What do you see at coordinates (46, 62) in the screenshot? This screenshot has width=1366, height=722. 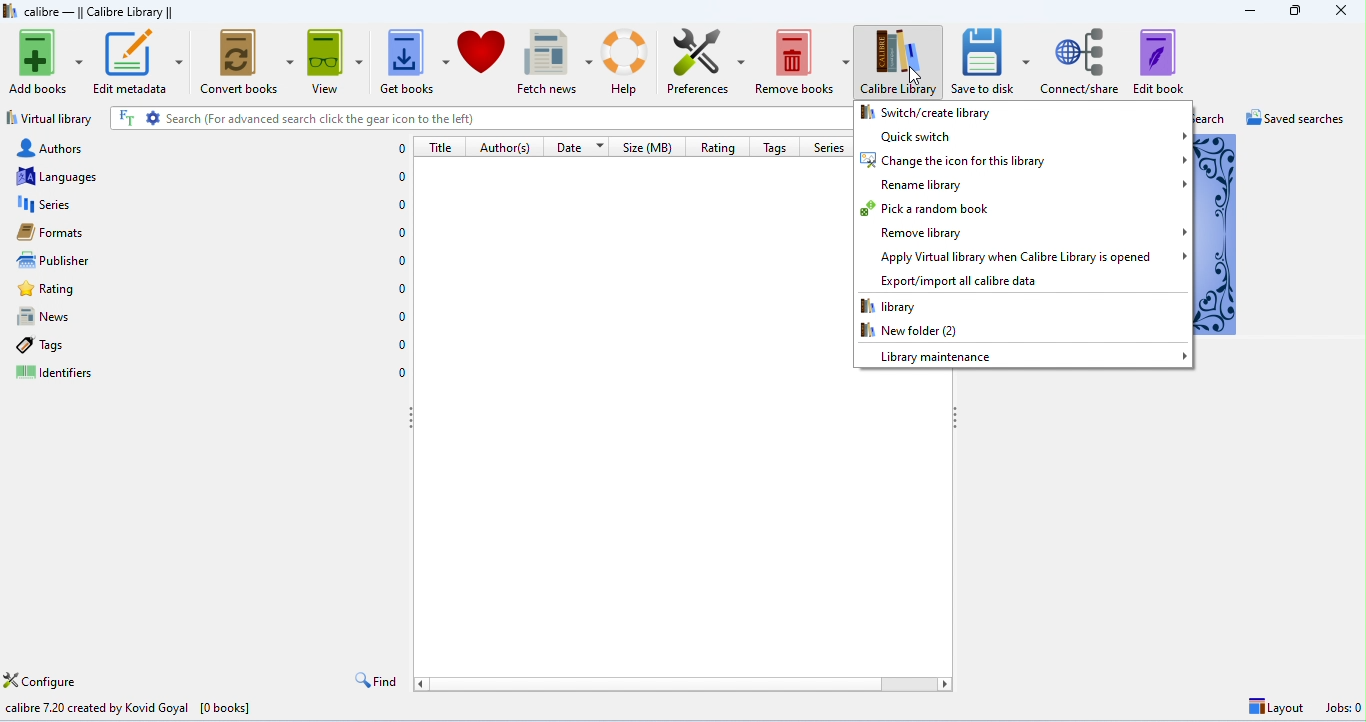 I see `add books` at bounding box center [46, 62].